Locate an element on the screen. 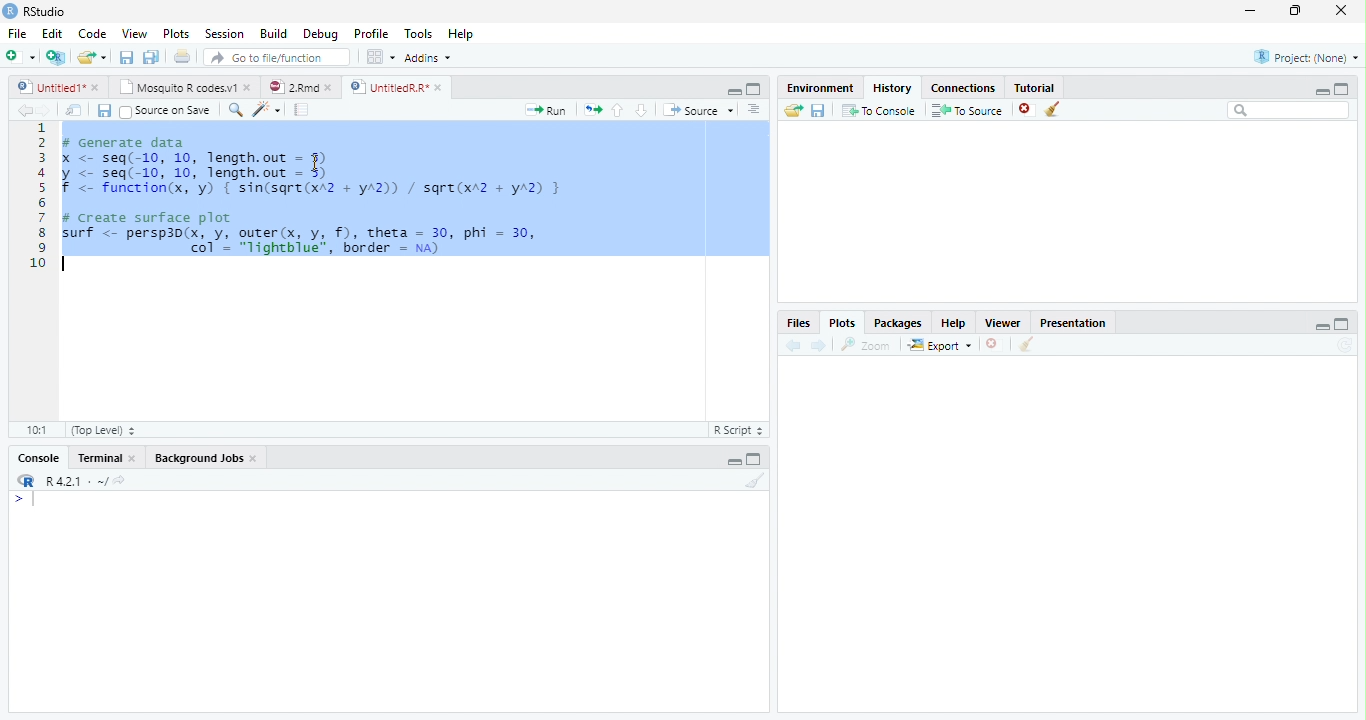  Next plot is located at coordinates (819, 345).